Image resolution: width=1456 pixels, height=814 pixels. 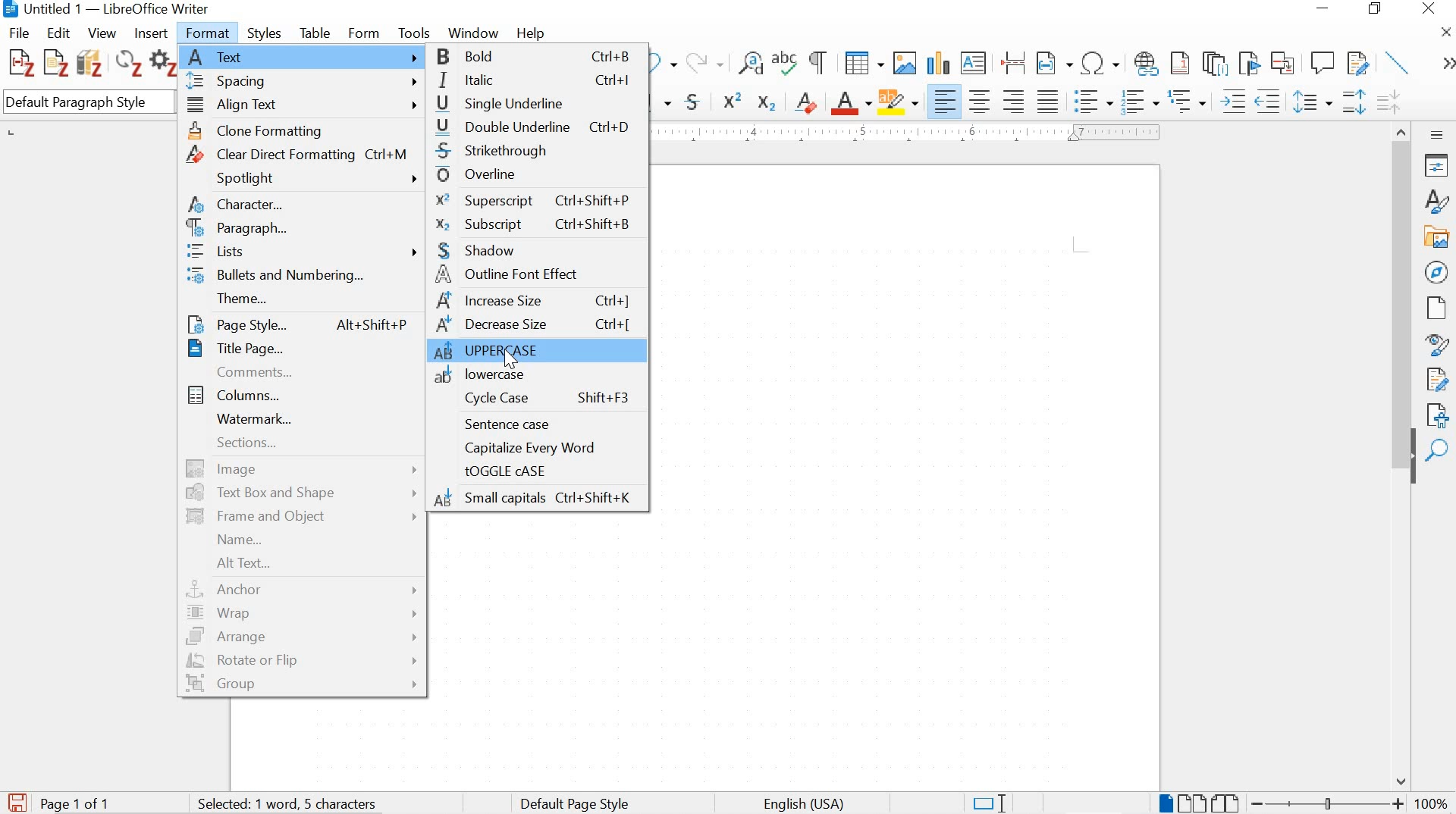 I want to click on zoom slider, so click(x=1323, y=803).